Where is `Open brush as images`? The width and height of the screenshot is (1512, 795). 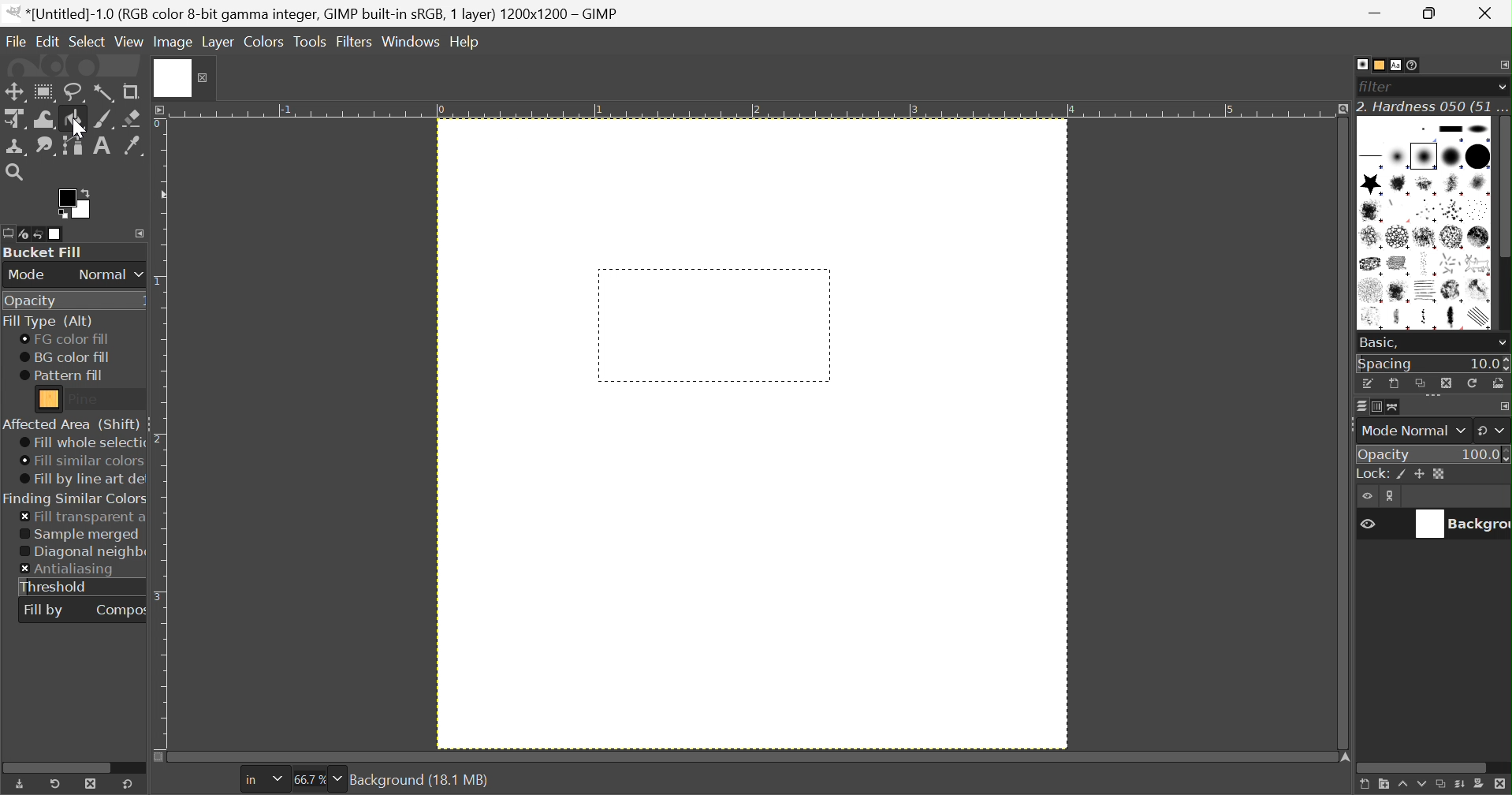 Open brush as images is located at coordinates (1498, 383).